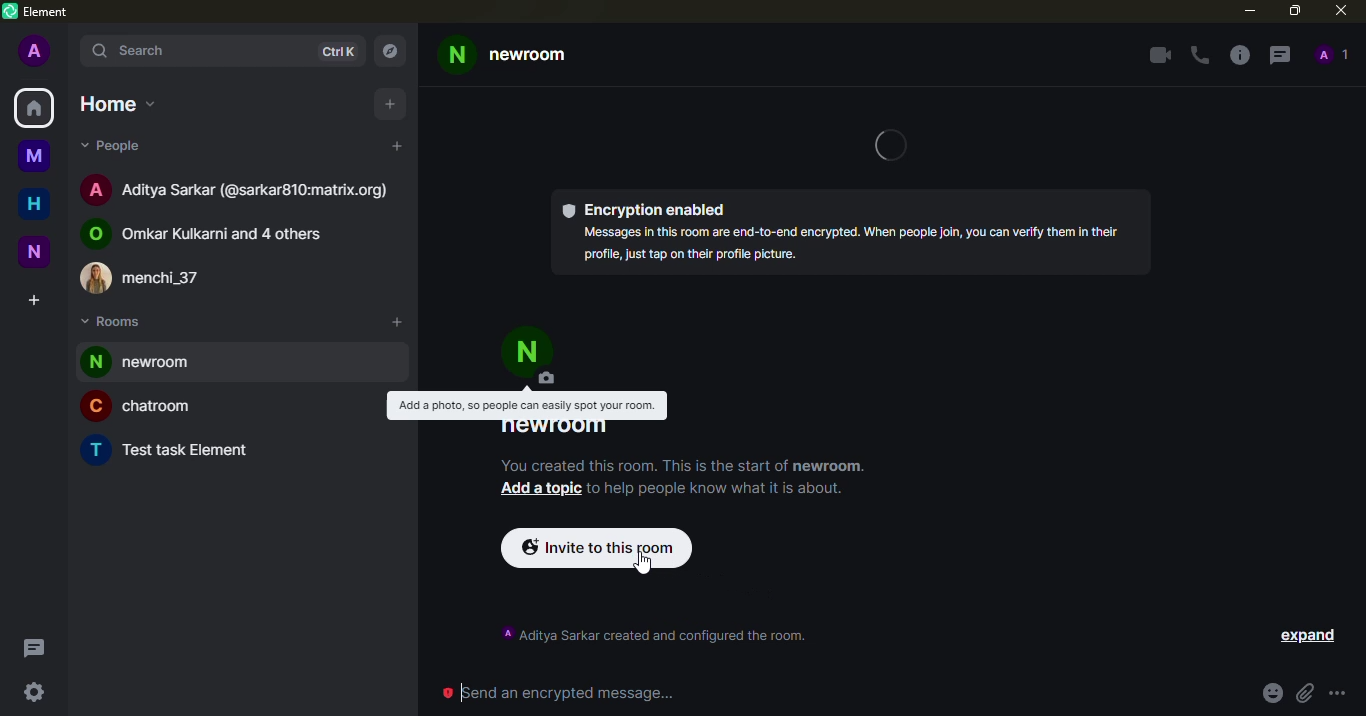  What do you see at coordinates (35, 251) in the screenshot?
I see `new` at bounding box center [35, 251].